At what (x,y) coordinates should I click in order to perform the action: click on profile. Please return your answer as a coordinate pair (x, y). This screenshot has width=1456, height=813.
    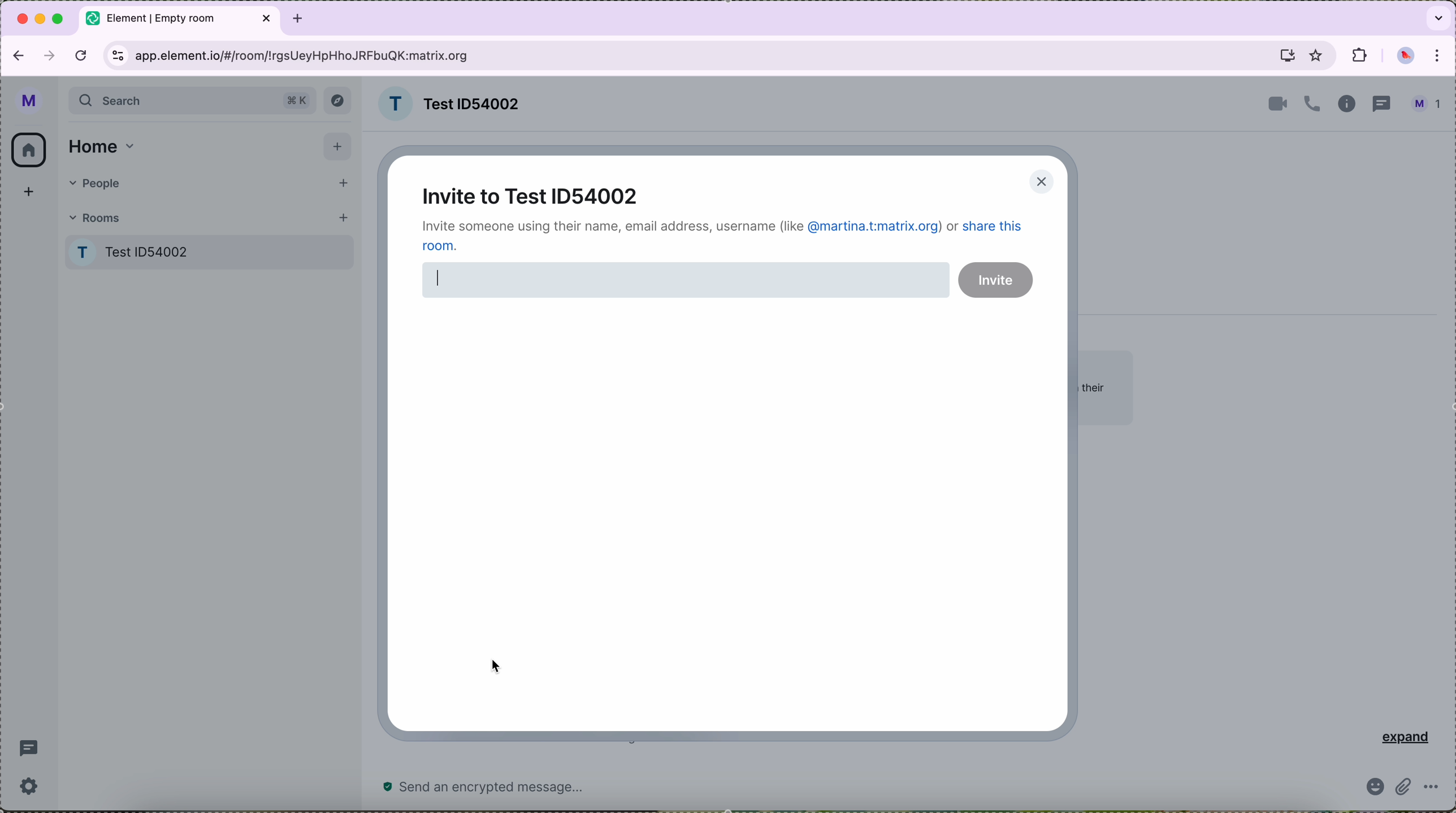
    Looking at the image, I should click on (1429, 105).